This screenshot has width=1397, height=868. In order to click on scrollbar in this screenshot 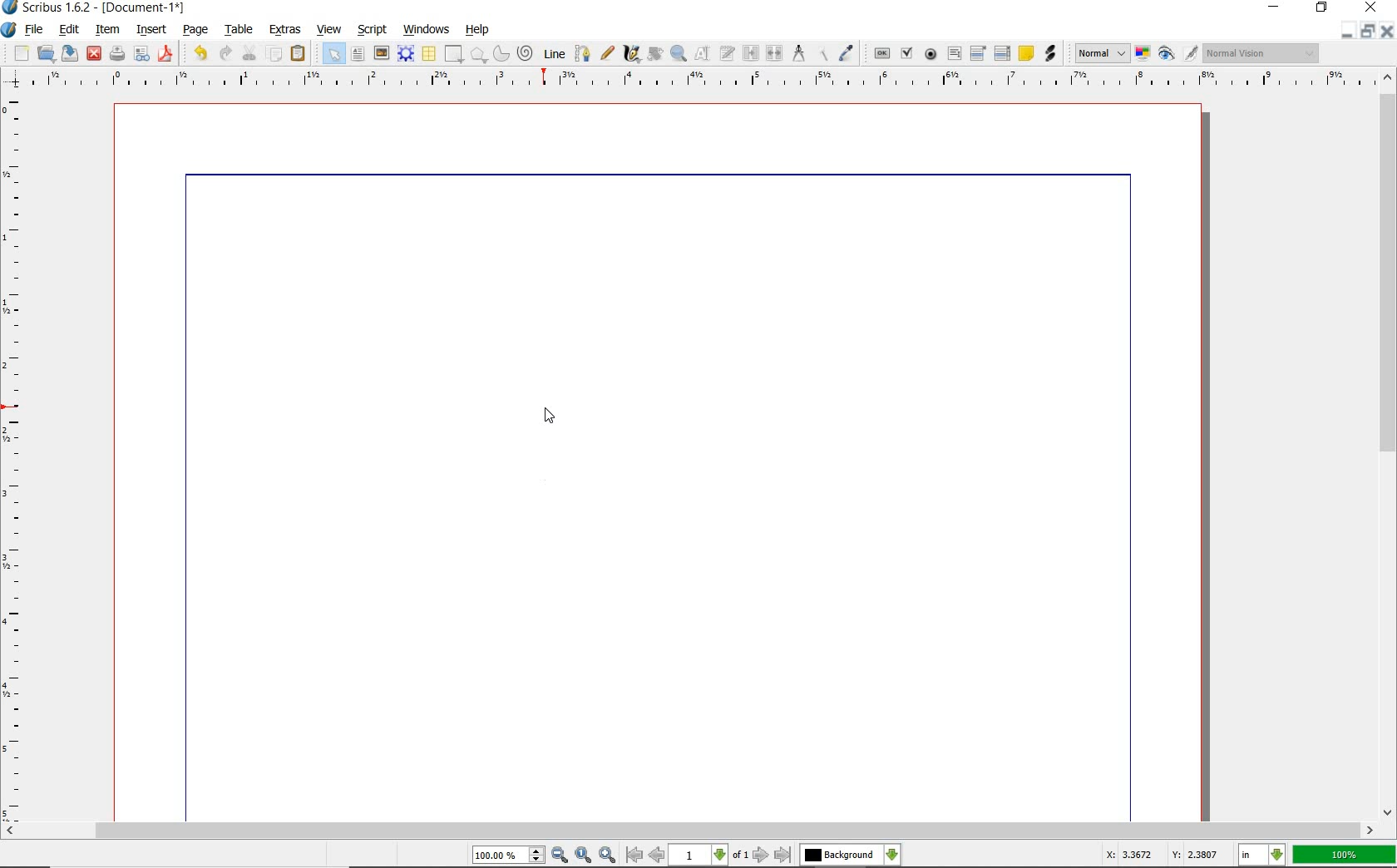, I will do `click(1389, 445)`.